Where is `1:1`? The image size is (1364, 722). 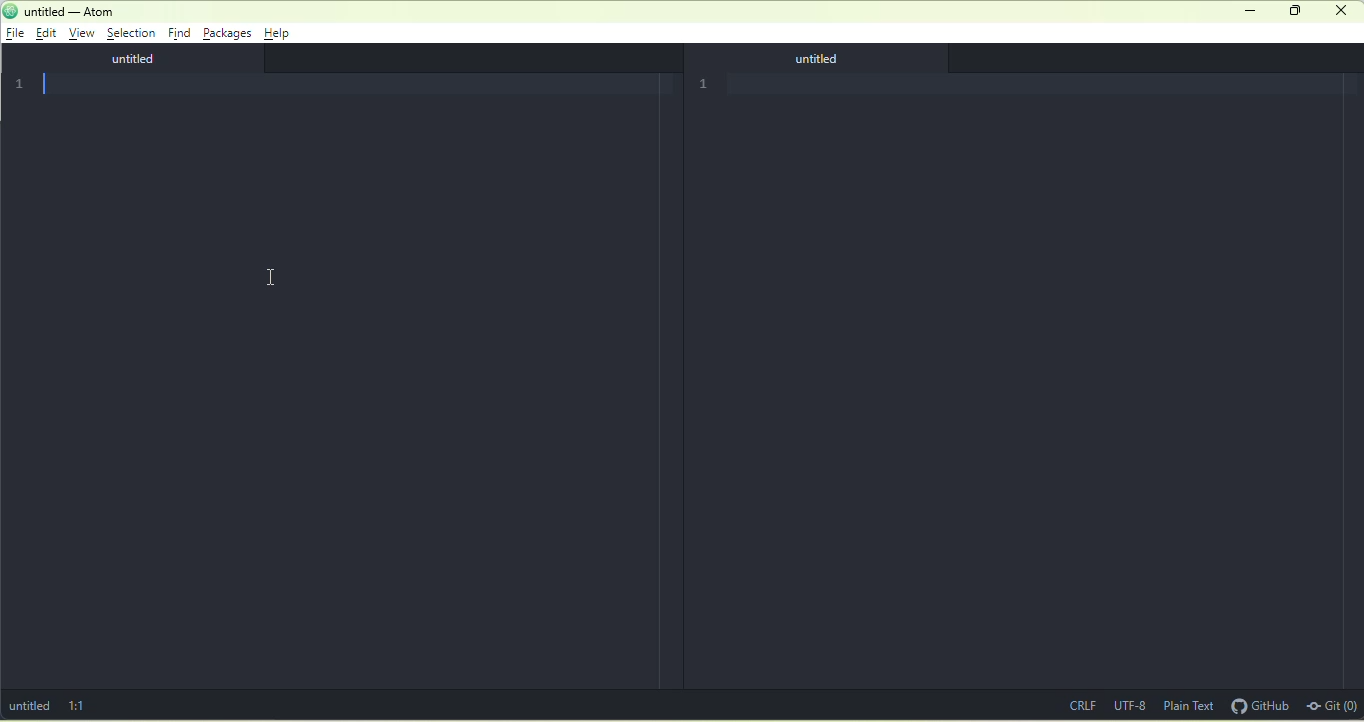 1:1 is located at coordinates (82, 705).